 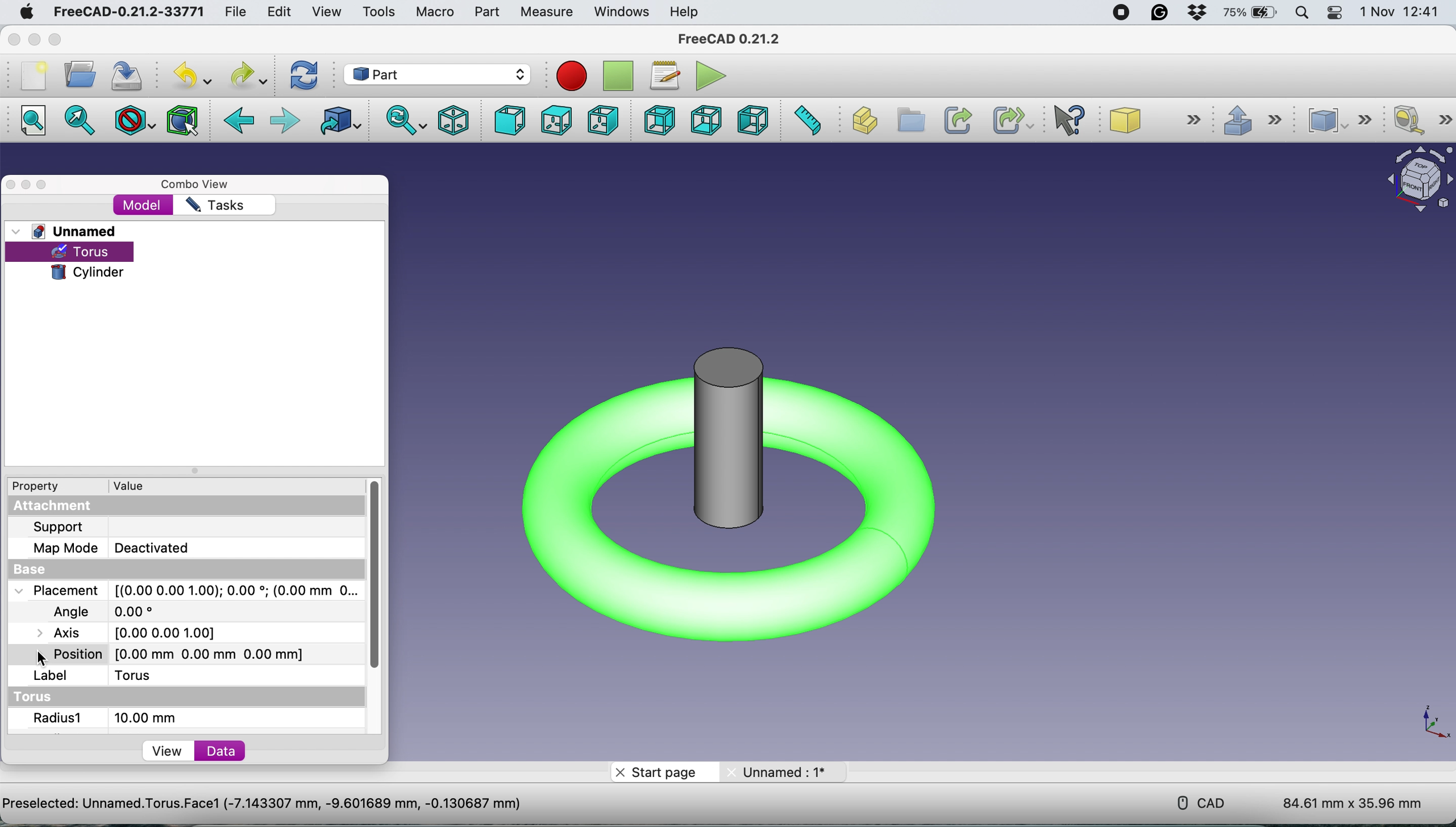 I want to click on freecad, so click(x=124, y=12).